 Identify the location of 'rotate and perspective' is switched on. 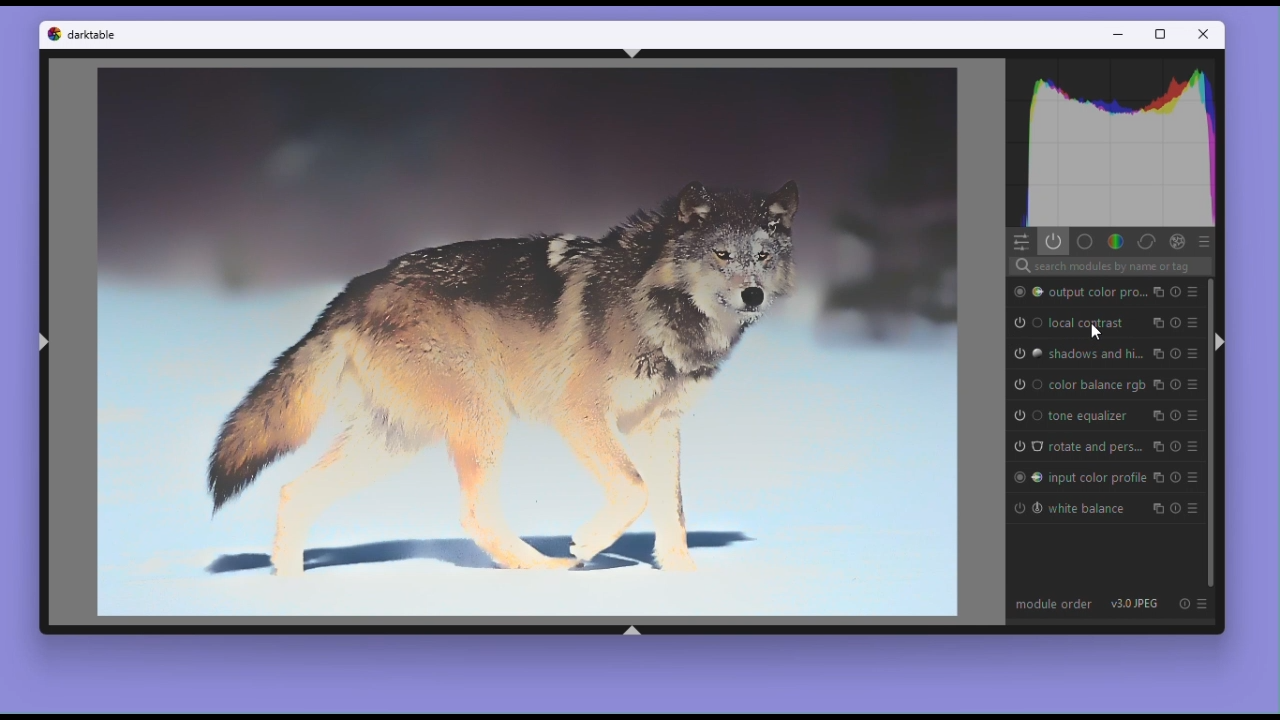
(1026, 448).